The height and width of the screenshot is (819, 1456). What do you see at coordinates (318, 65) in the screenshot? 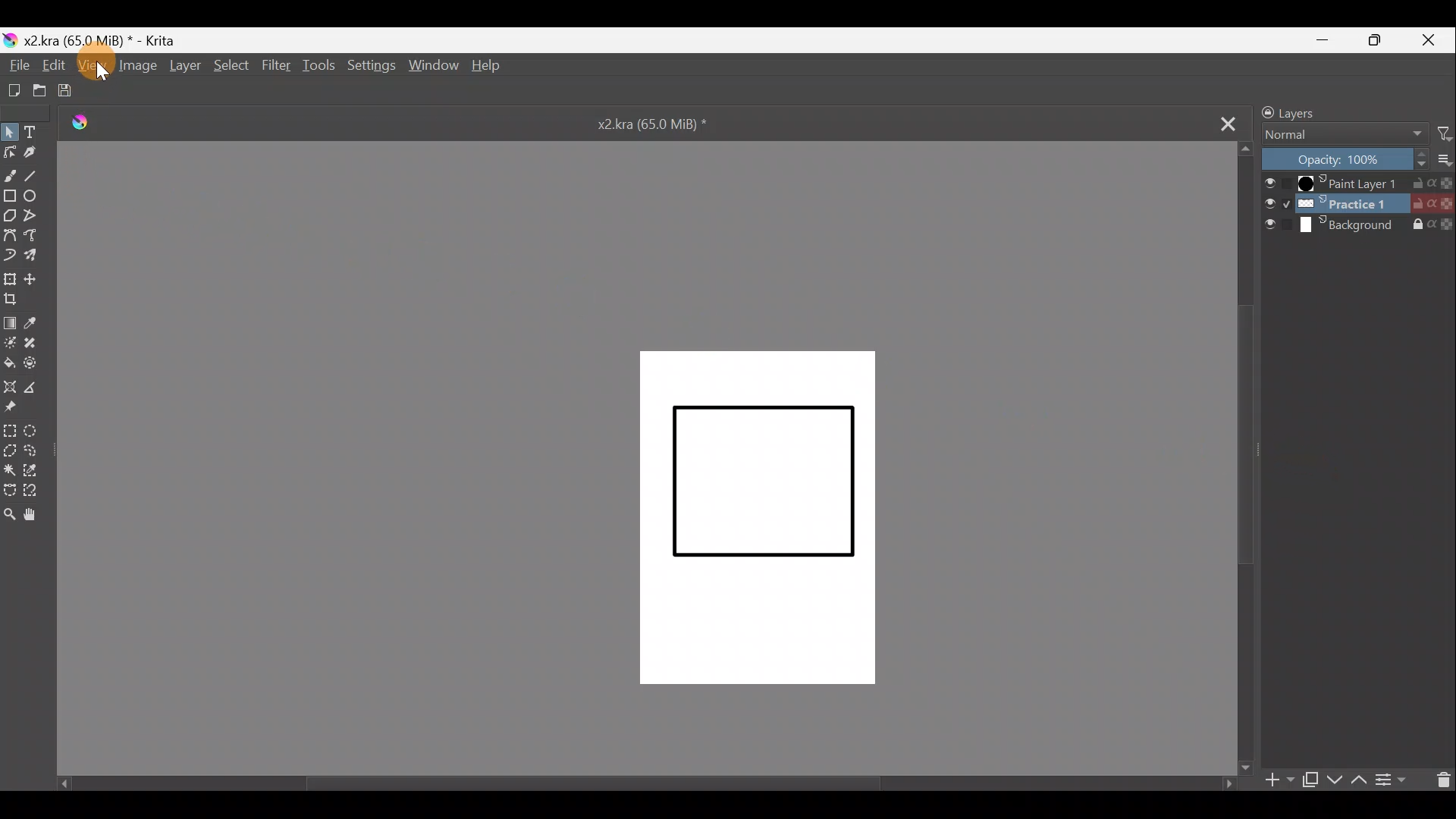
I see `Tools` at bounding box center [318, 65].